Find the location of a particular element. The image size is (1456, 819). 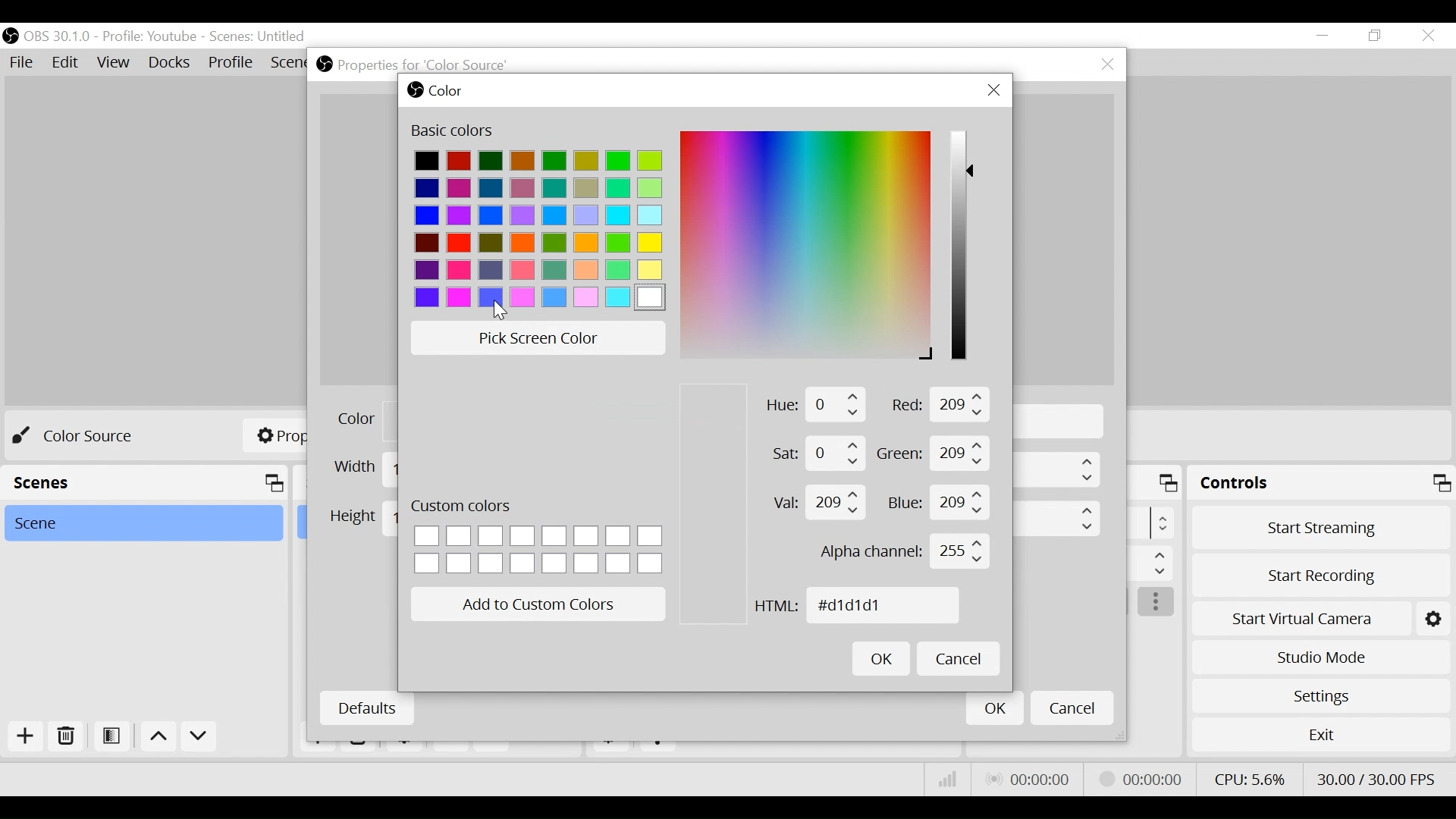

Color Pallete is located at coordinates (538, 229).